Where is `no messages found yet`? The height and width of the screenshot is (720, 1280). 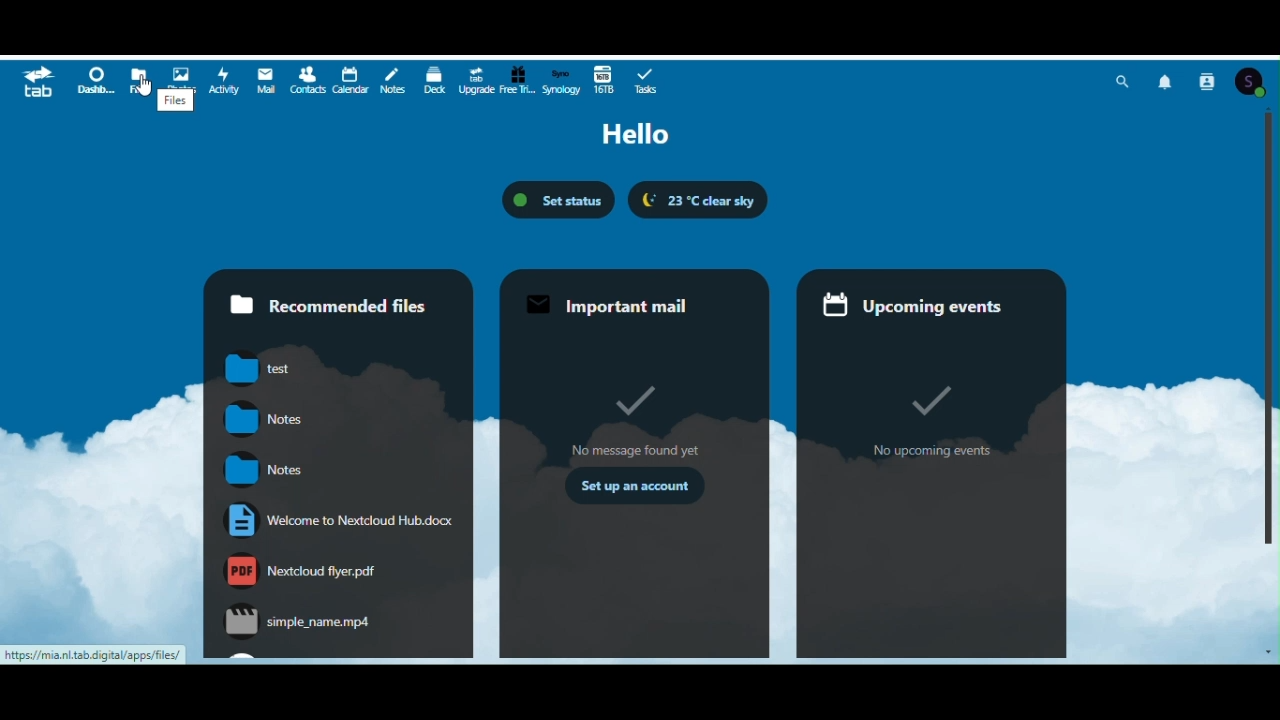 no messages found yet is located at coordinates (630, 450).